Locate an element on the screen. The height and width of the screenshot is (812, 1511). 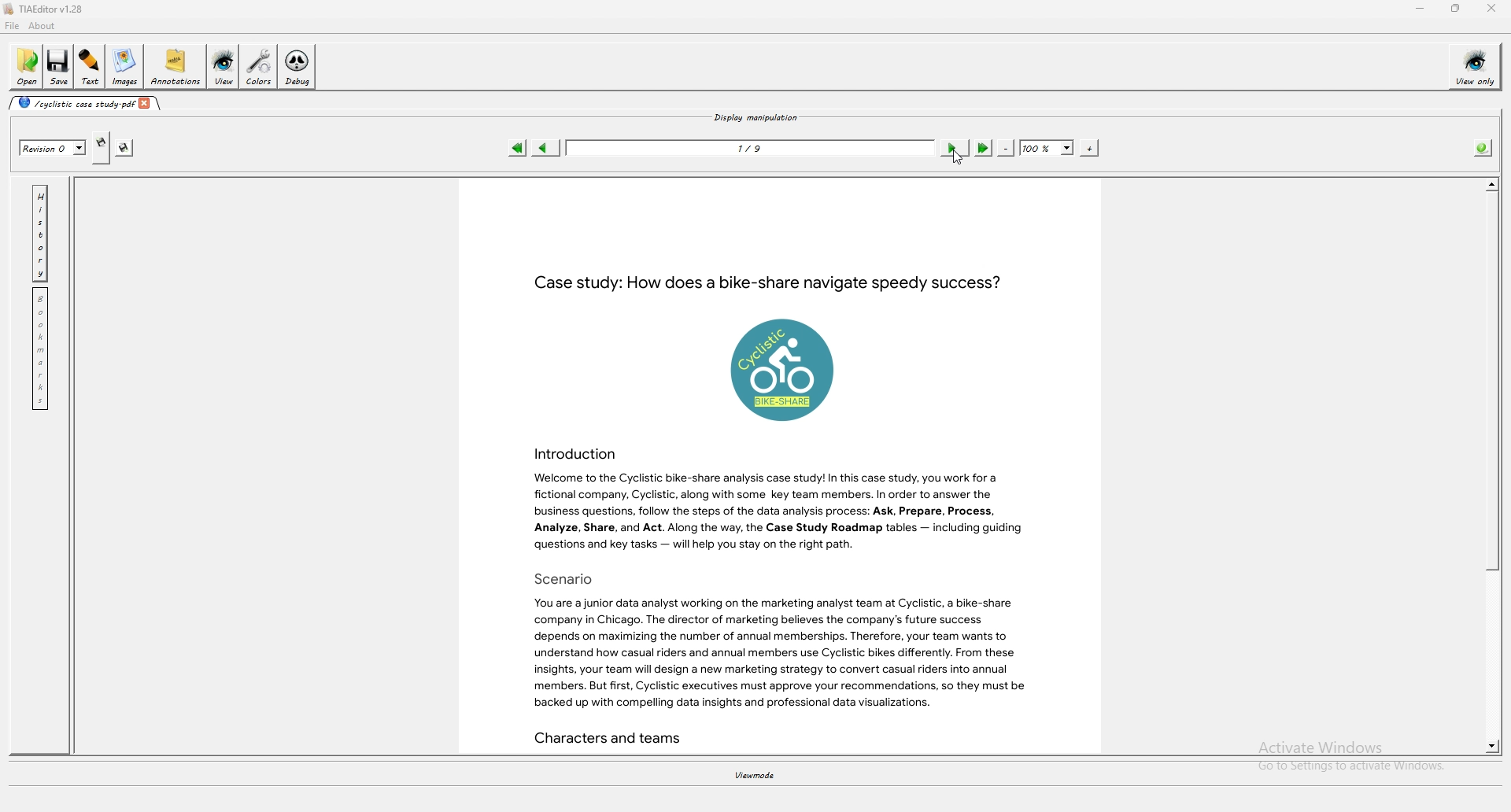
close is located at coordinates (1492, 9).